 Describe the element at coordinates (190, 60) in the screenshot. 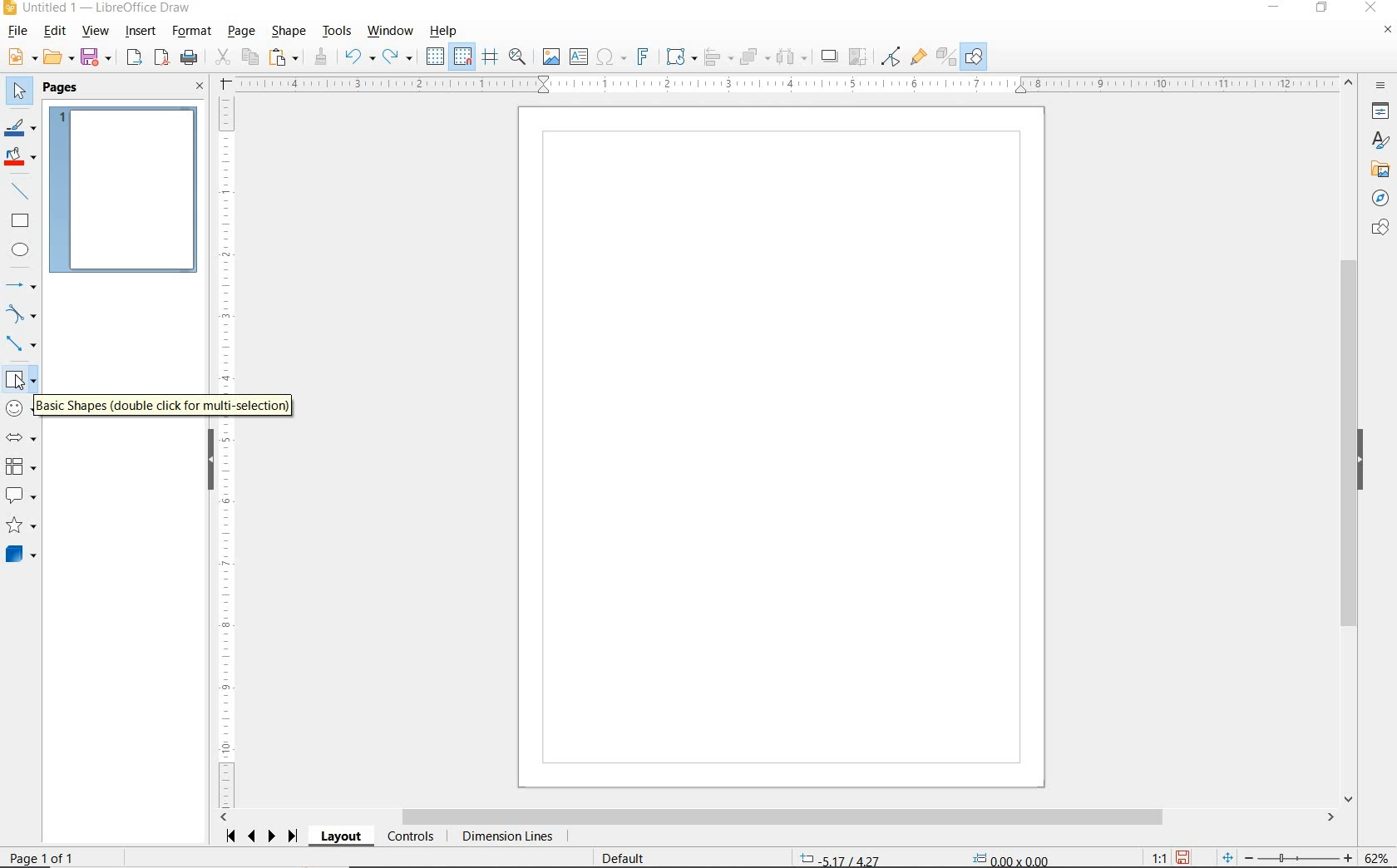

I see `PRINT` at that location.